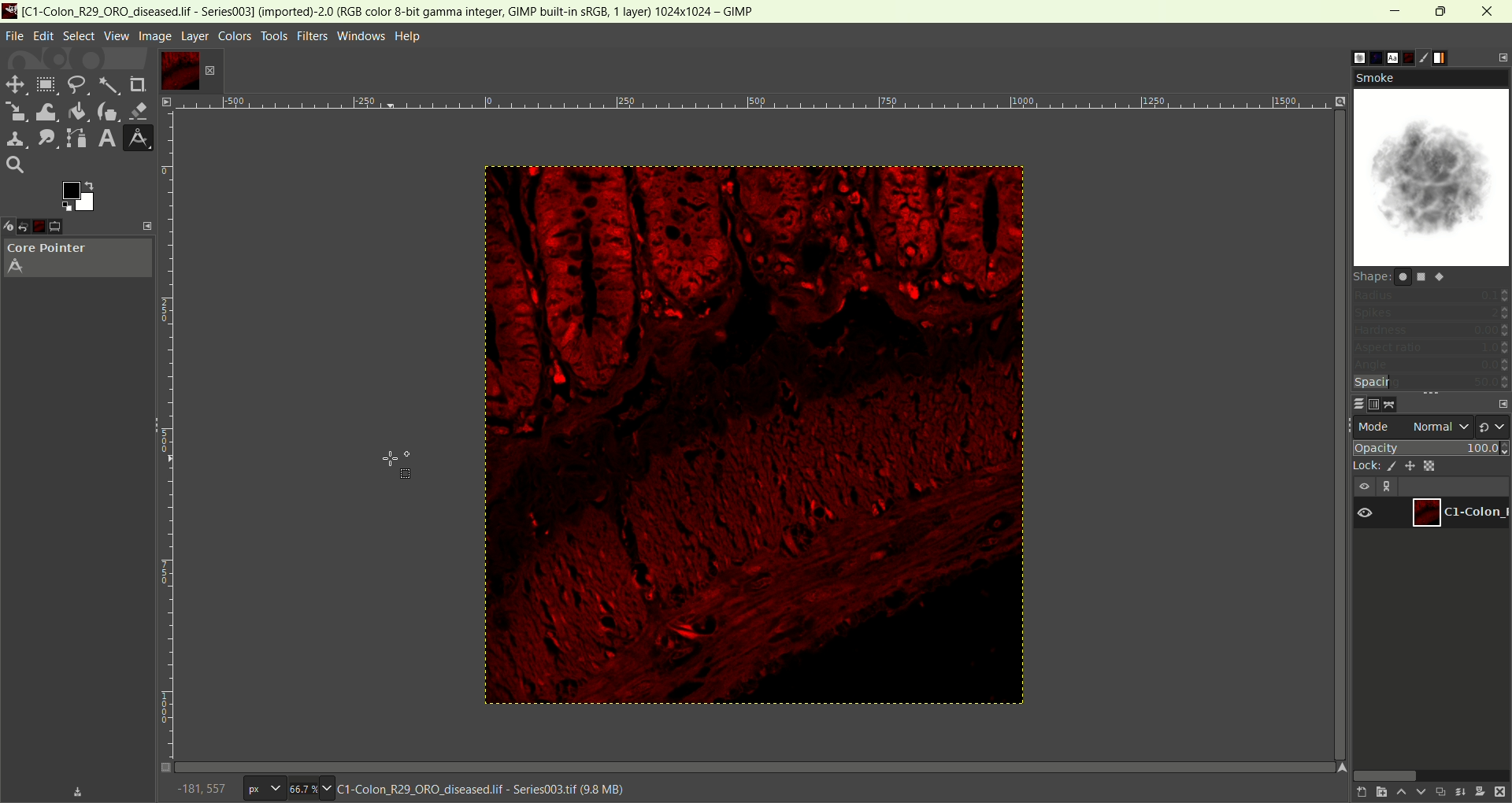 The image size is (1512, 803). I want to click on scale bar, so click(172, 427).